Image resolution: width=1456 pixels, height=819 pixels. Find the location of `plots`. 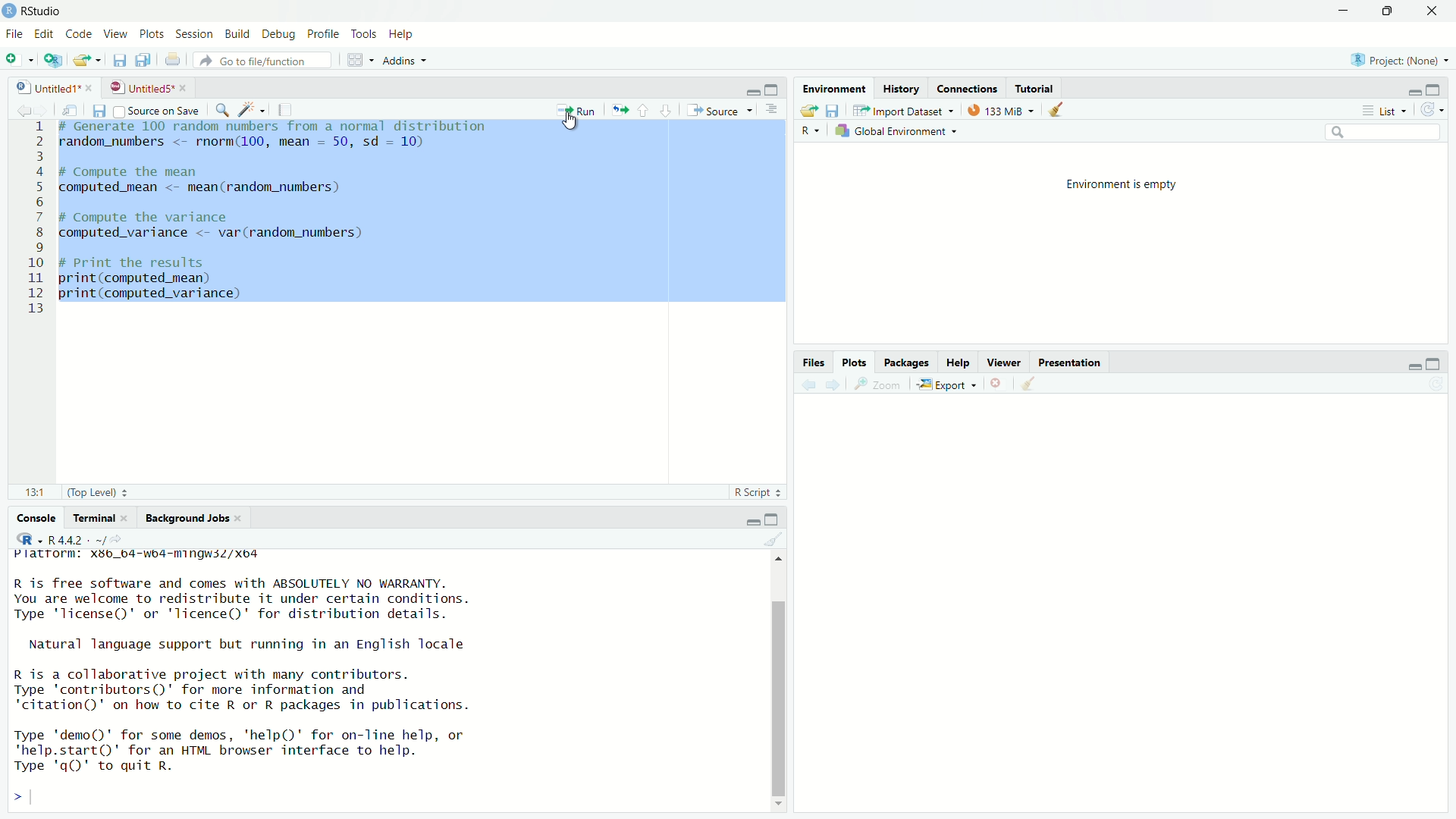

plots is located at coordinates (855, 362).